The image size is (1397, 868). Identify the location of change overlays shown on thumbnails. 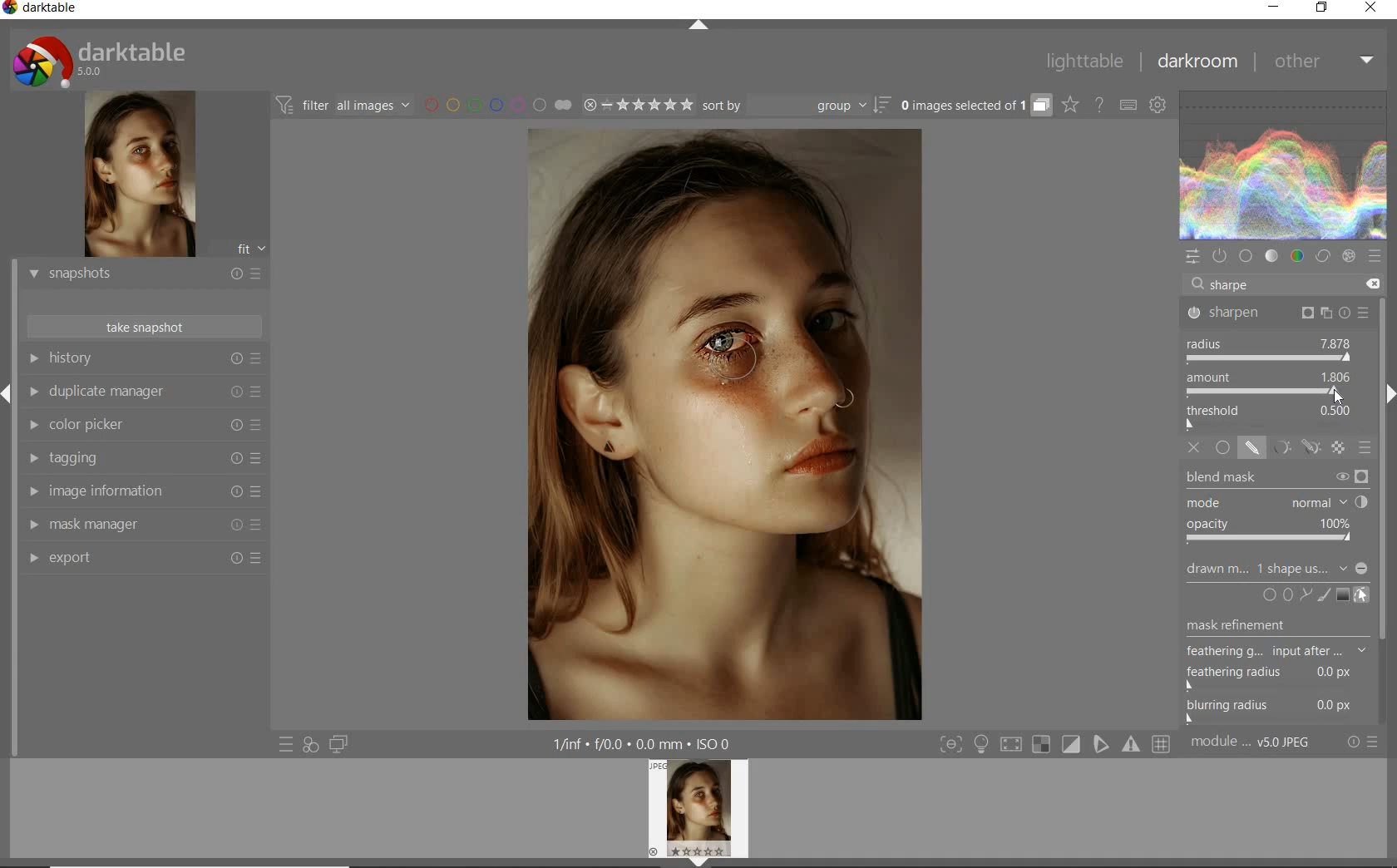
(1069, 106).